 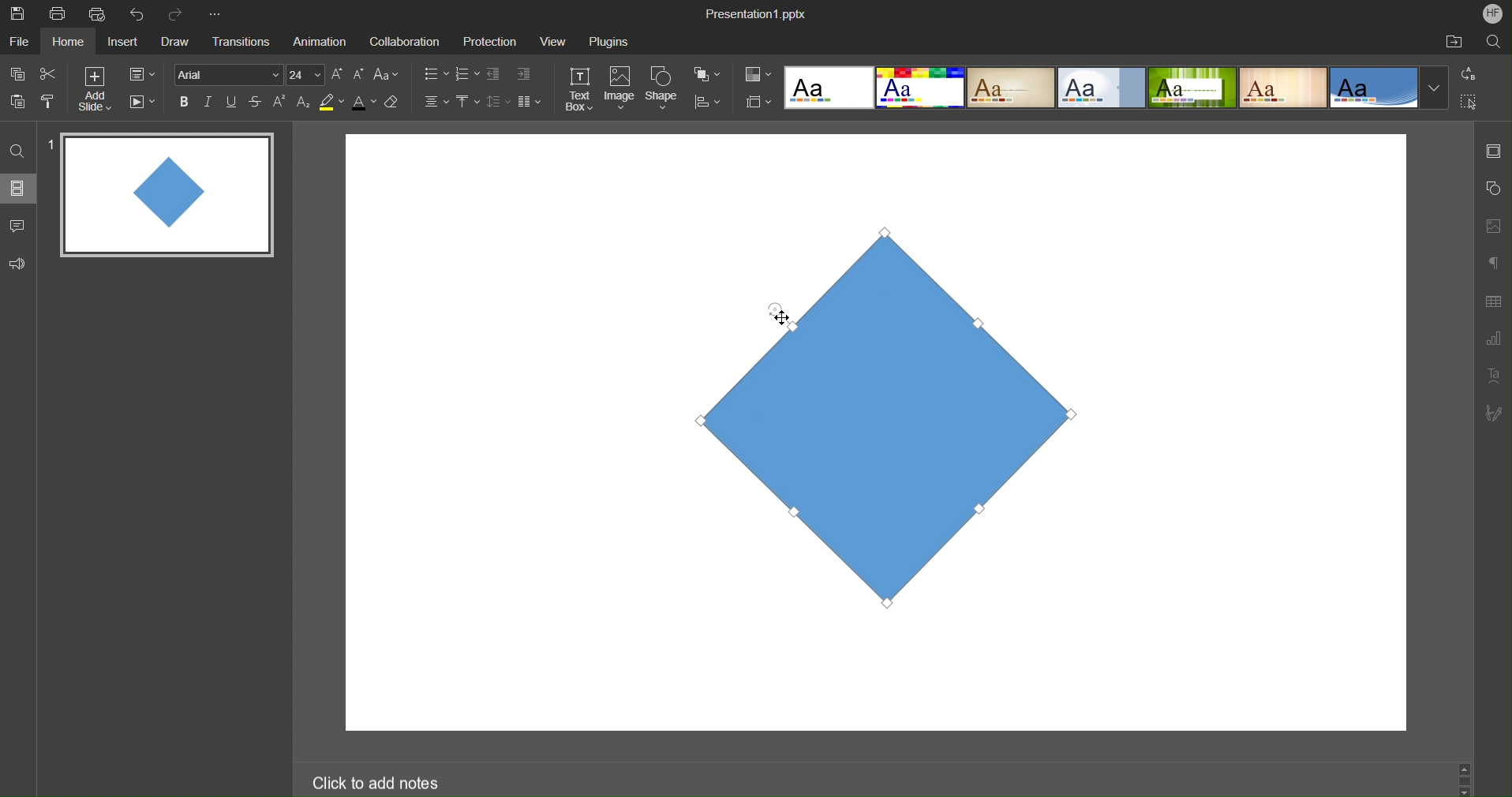 What do you see at coordinates (1491, 15) in the screenshot?
I see `Account` at bounding box center [1491, 15].